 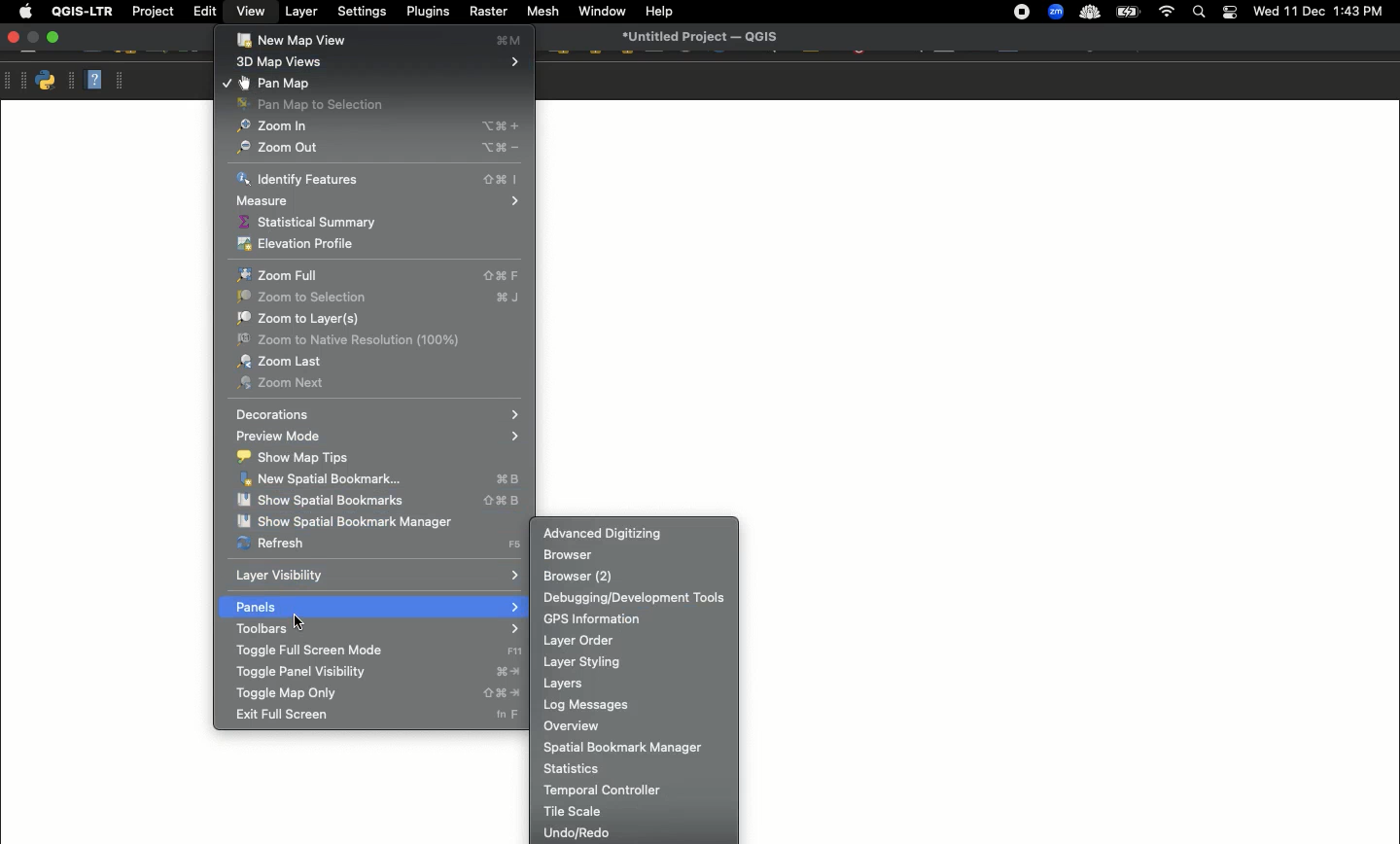 What do you see at coordinates (376, 672) in the screenshot?
I see `Toggle panel visibility` at bounding box center [376, 672].